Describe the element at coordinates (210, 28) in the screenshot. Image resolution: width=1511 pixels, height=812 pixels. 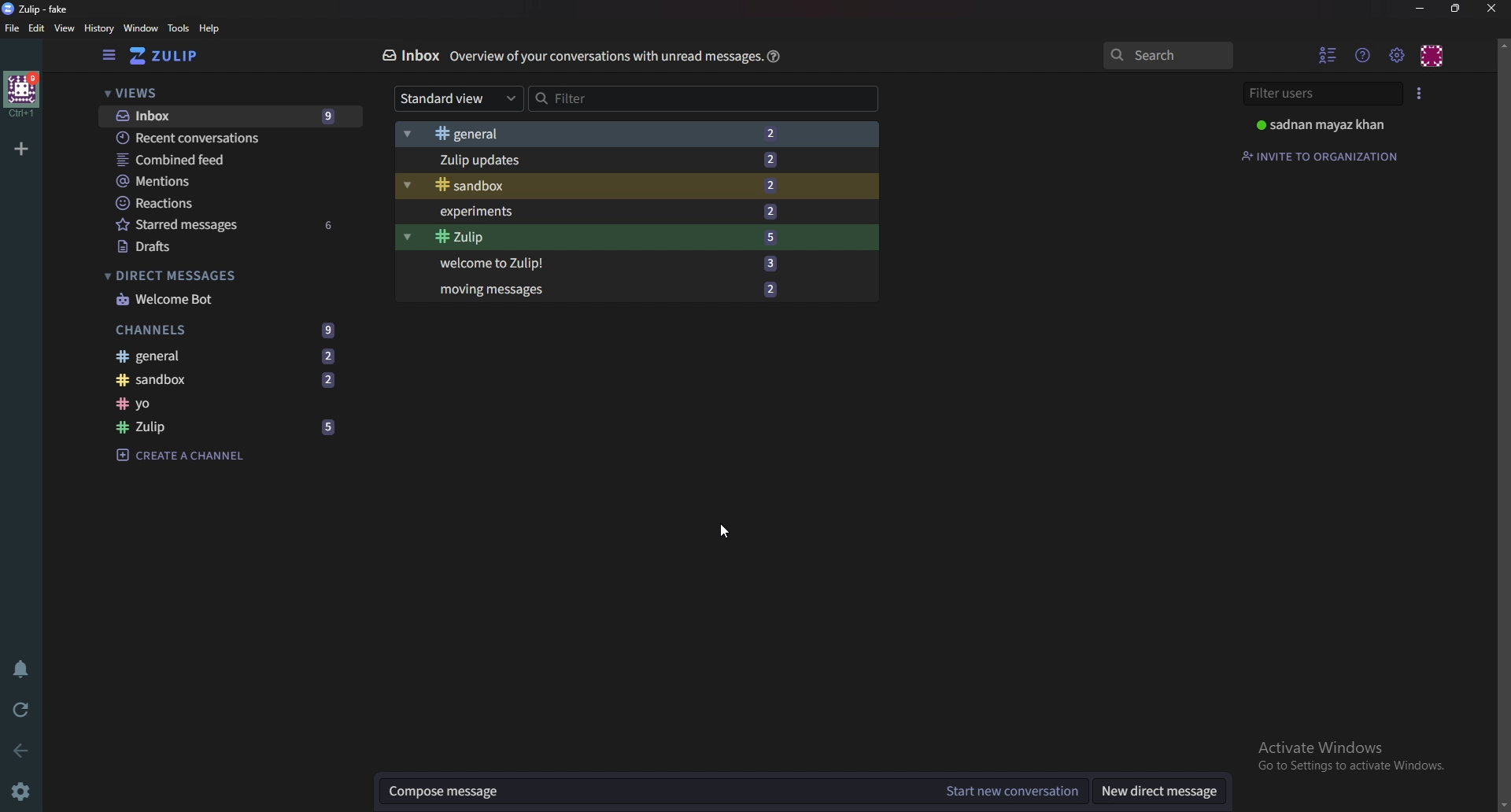
I see `help` at that location.